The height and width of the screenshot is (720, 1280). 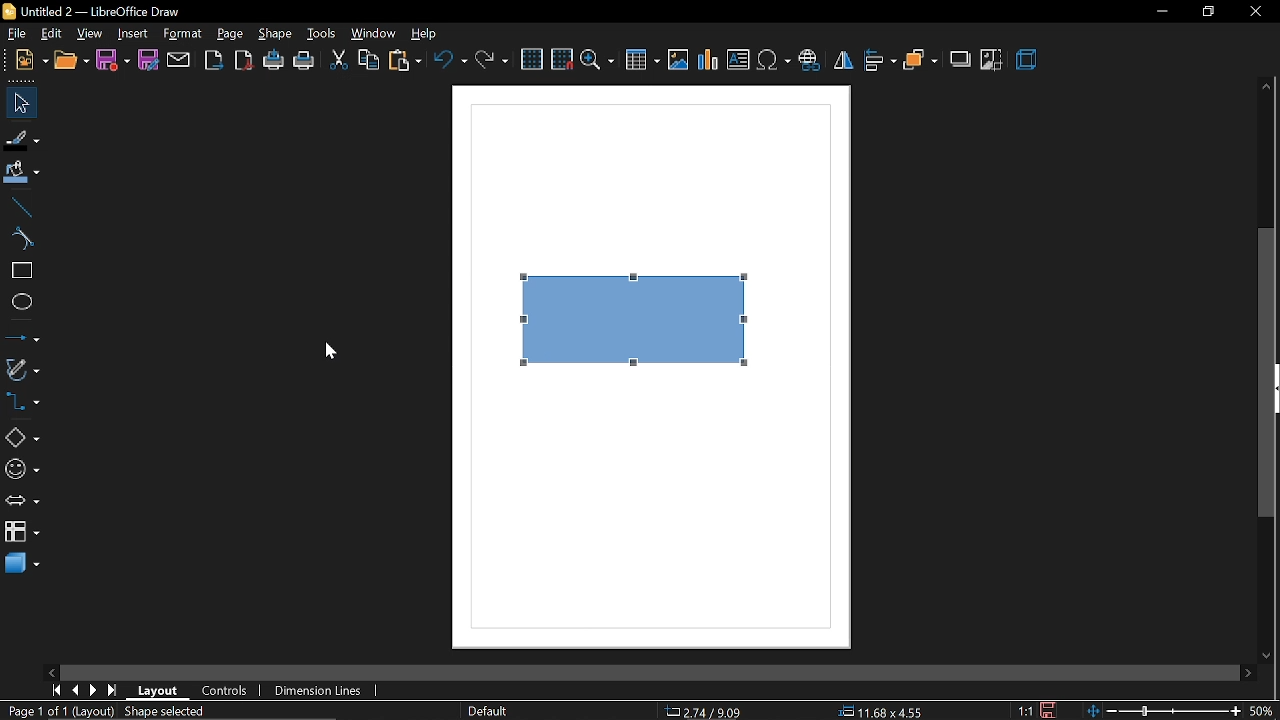 What do you see at coordinates (1267, 655) in the screenshot?
I see `move down` at bounding box center [1267, 655].